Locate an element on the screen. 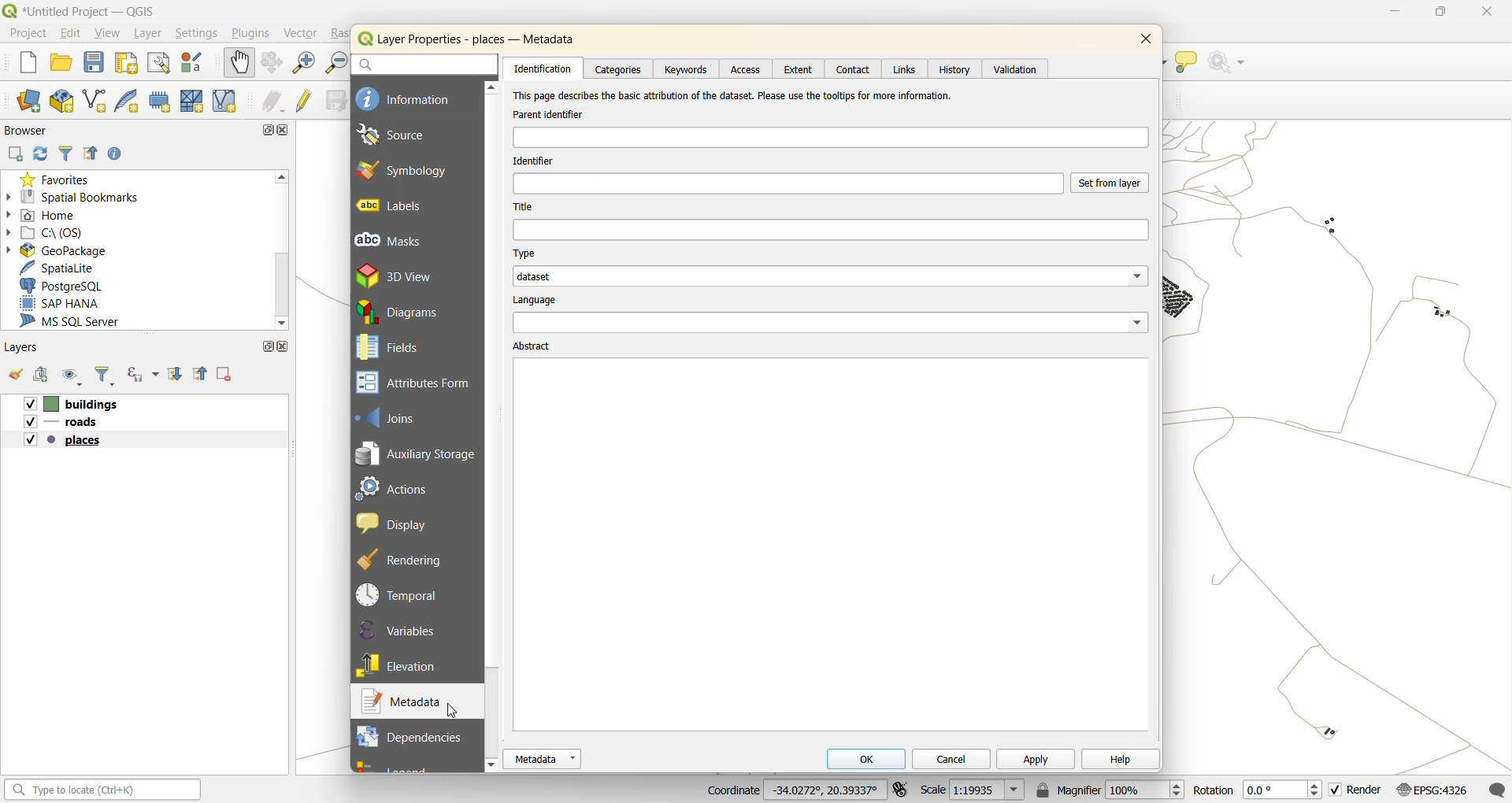  geopackage is located at coordinates (67, 249).